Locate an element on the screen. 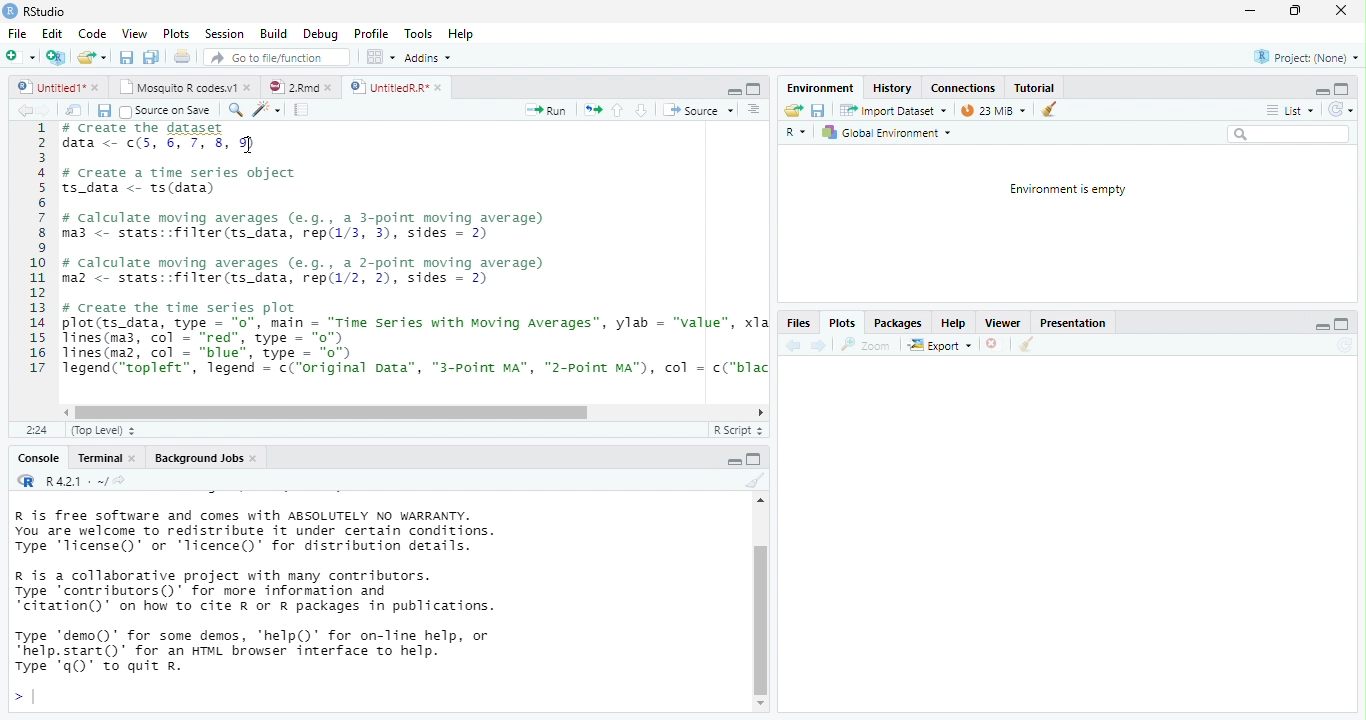  maximize is located at coordinates (735, 462).